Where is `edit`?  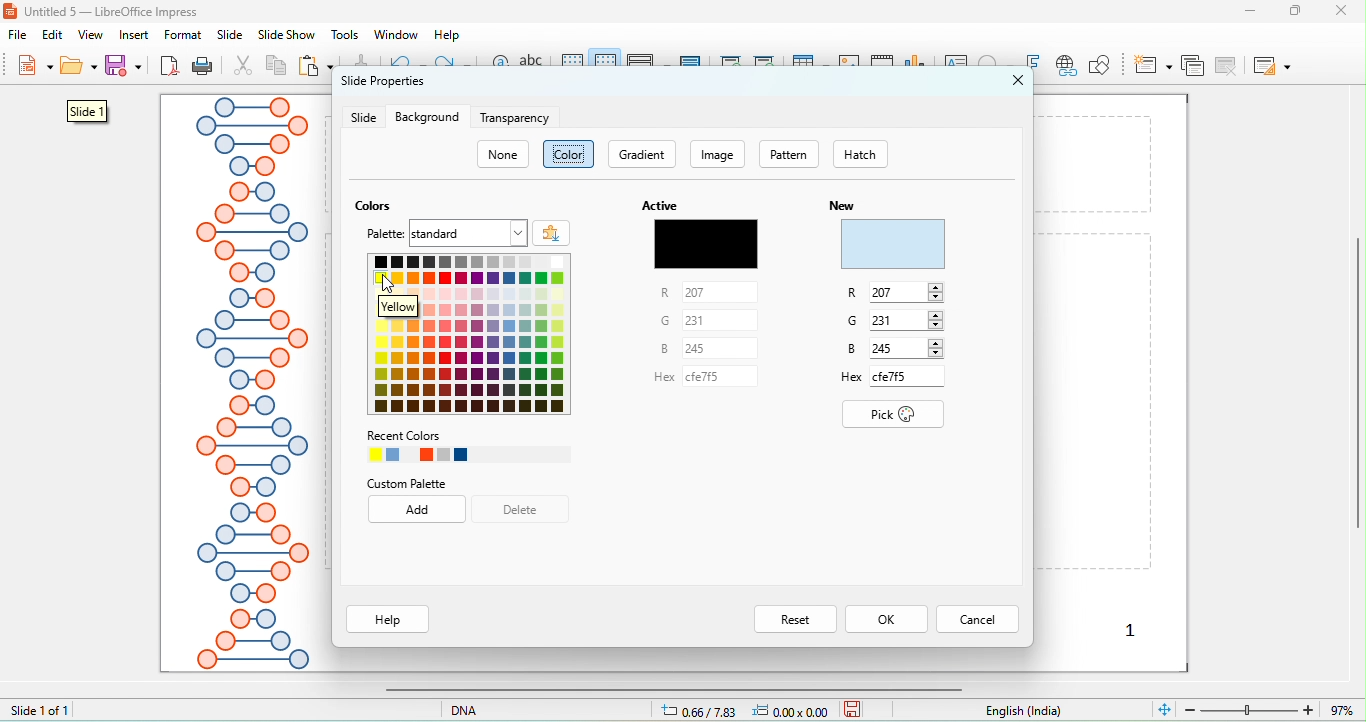
edit is located at coordinates (55, 35).